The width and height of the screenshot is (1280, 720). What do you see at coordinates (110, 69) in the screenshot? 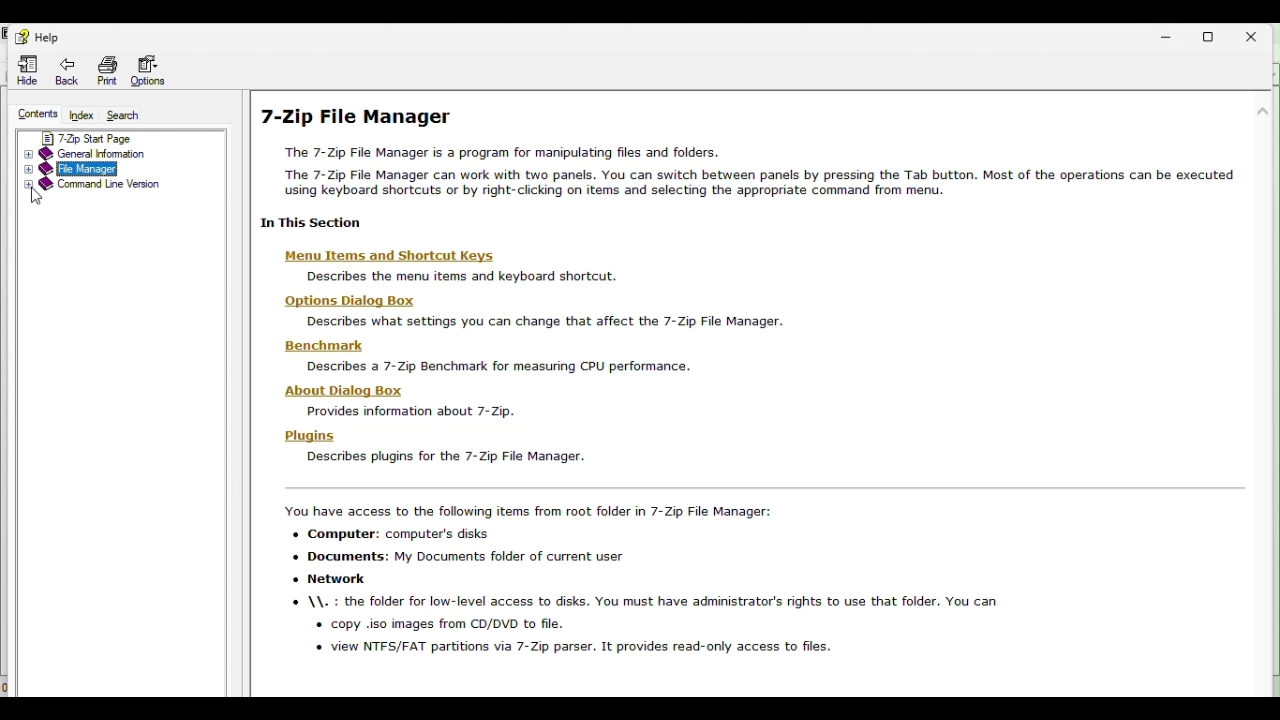
I see `Print ` at bounding box center [110, 69].